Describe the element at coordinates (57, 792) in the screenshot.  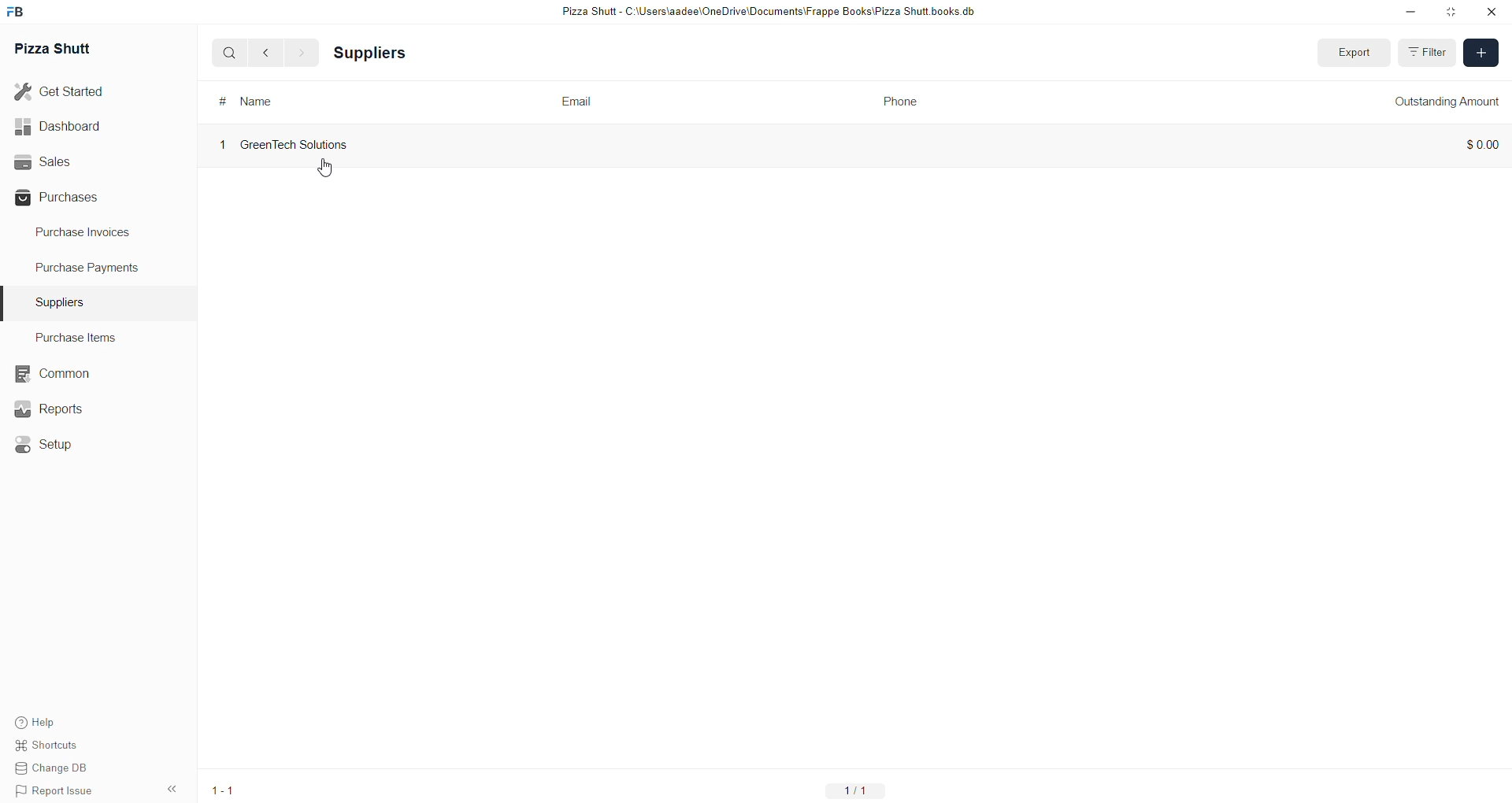
I see `J Report Issue` at that location.